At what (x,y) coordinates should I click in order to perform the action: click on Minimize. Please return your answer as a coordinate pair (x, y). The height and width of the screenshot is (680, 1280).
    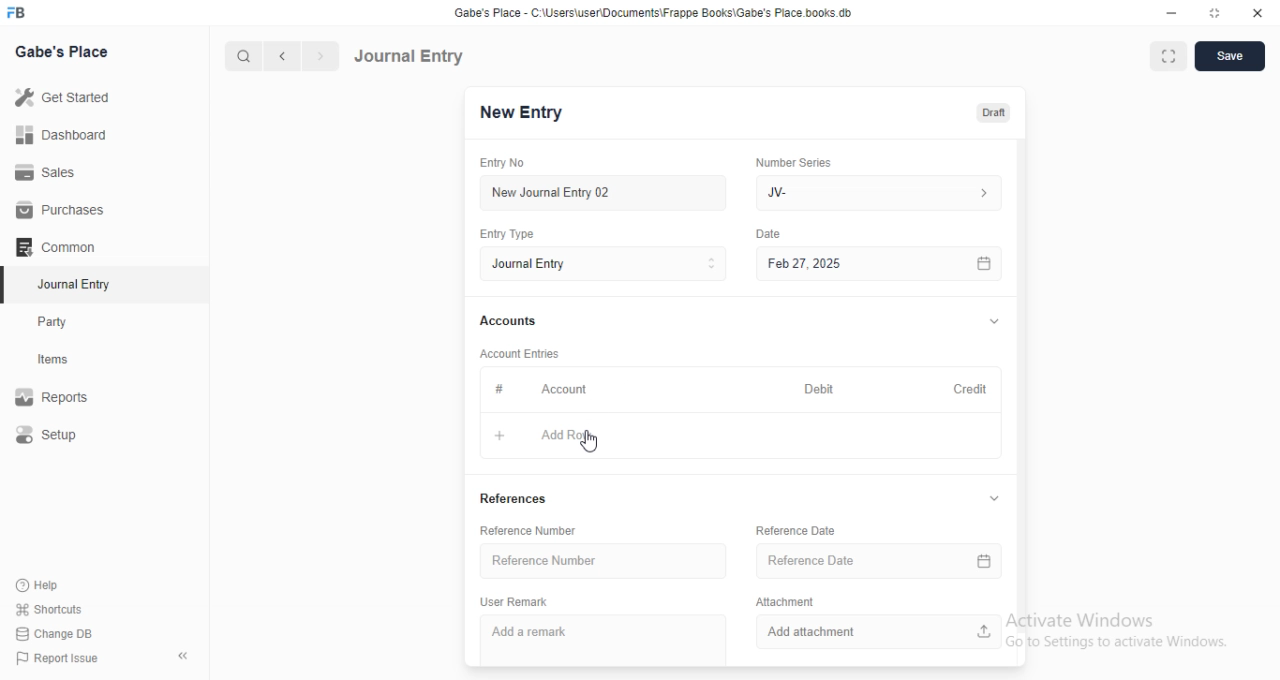
    Looking at the image, I should click on (1172, 13).